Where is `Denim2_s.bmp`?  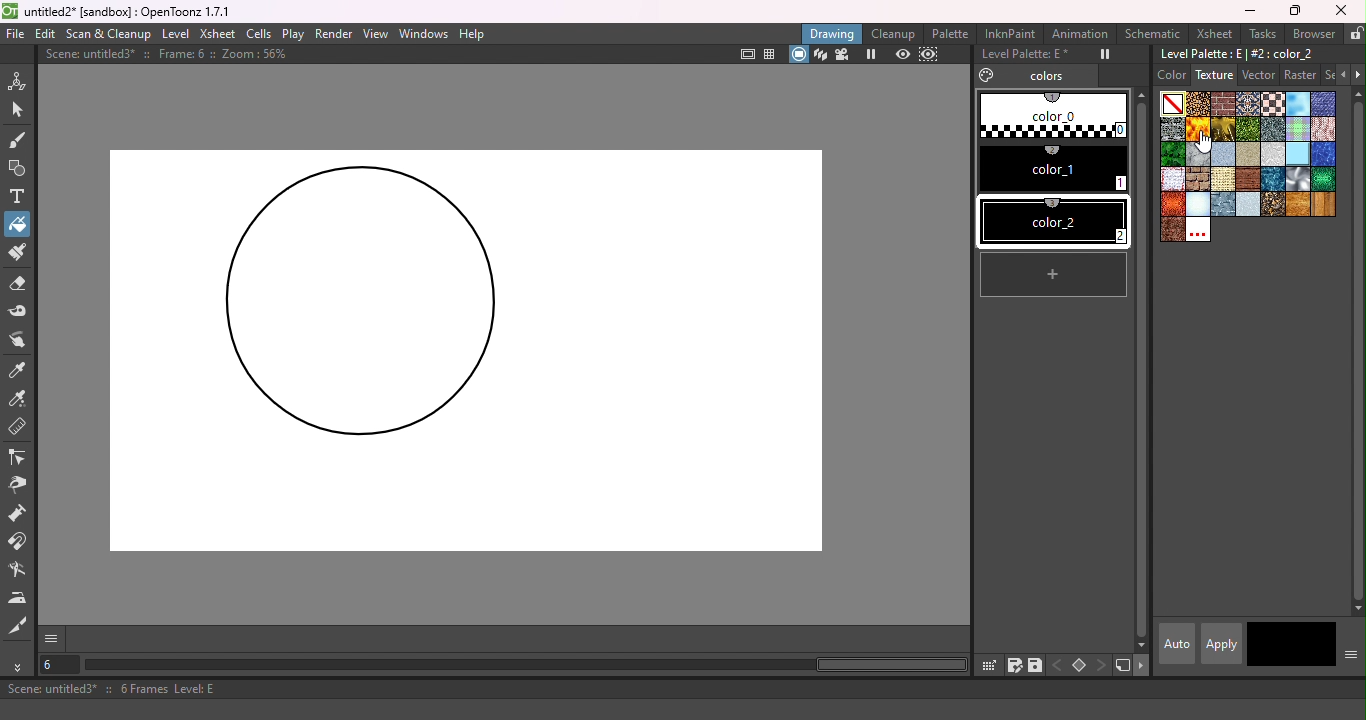 Denim2_s.bmp is located at coordinates (1324, 102).